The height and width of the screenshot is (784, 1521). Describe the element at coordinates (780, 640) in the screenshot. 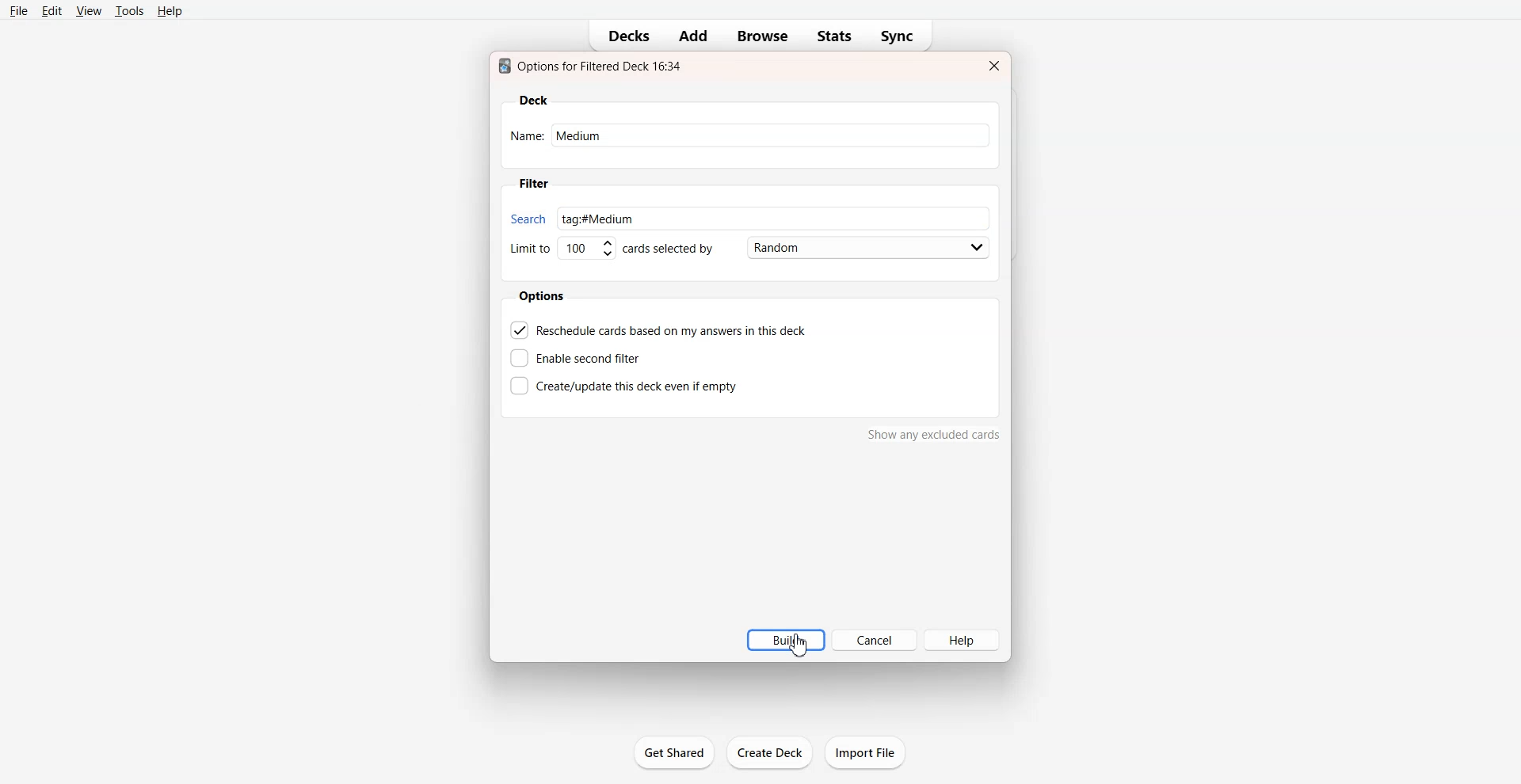

I see `Build` at that location.